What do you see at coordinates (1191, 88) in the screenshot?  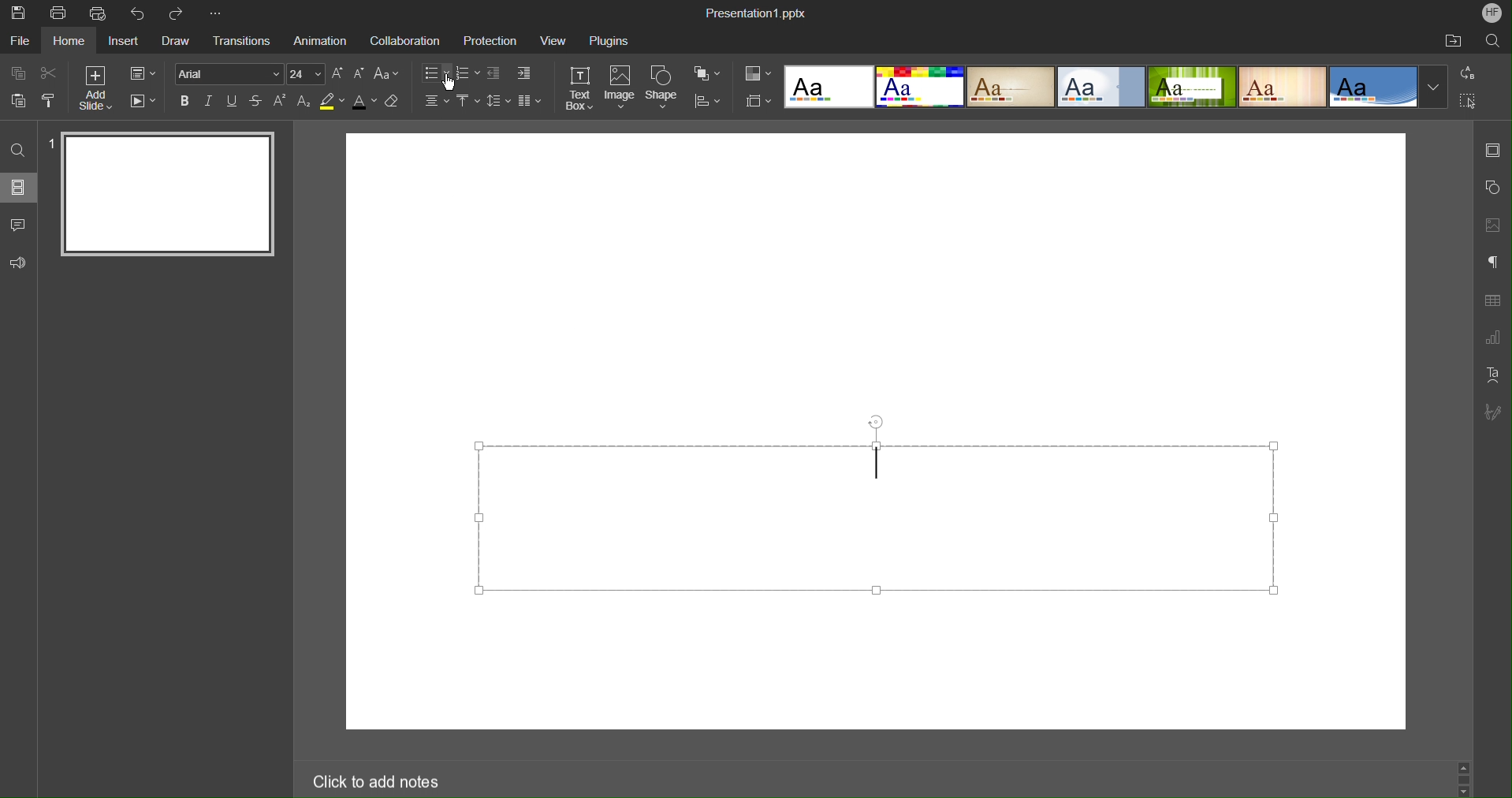 I see `template` at bounding box center [1191, 88].